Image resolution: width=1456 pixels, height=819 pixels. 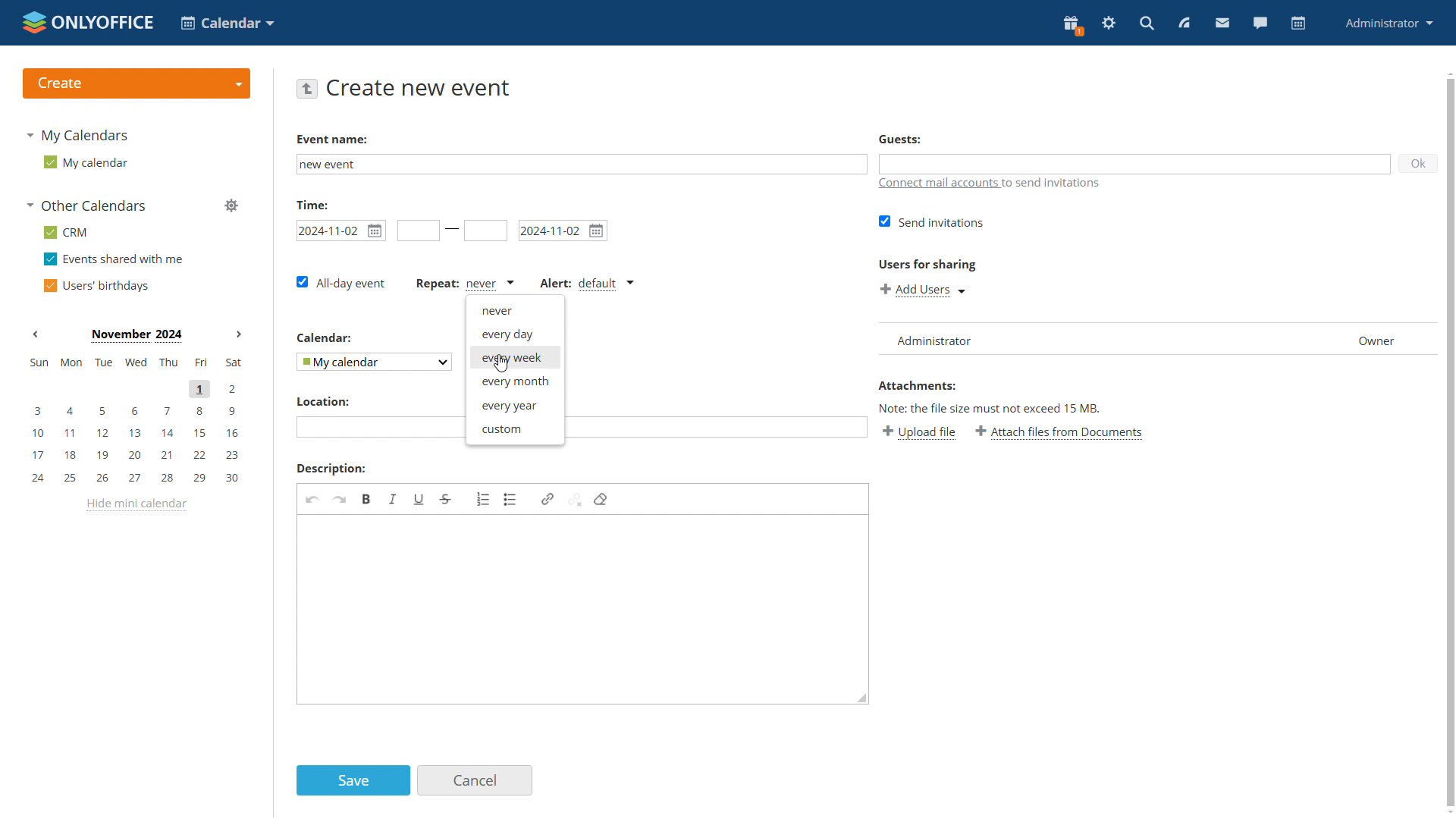 I want to click on search, so click(x=1148, y=23).